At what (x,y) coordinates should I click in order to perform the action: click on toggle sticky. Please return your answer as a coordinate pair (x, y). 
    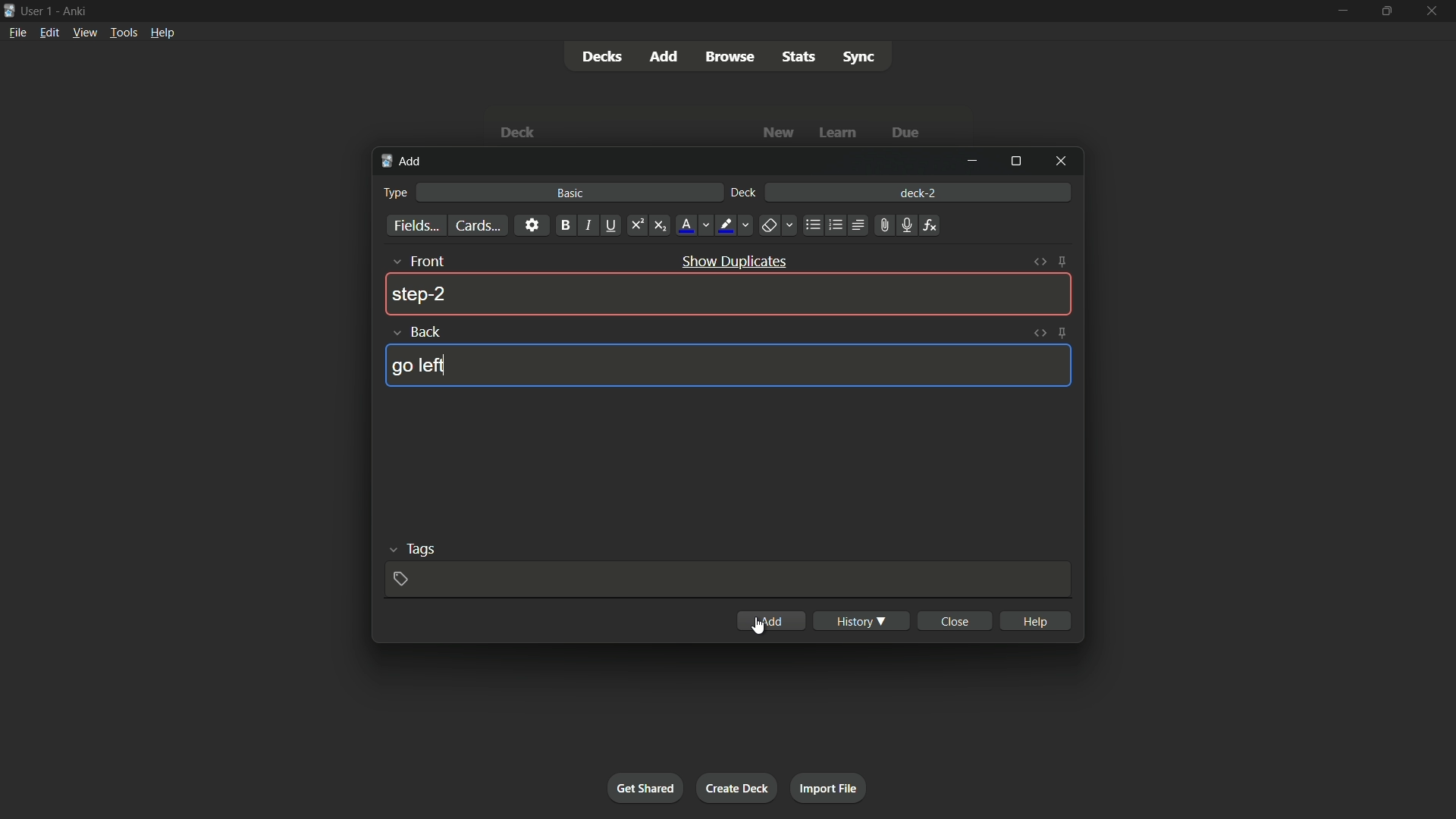
    Looking at the image, I should click on (1062, 332).